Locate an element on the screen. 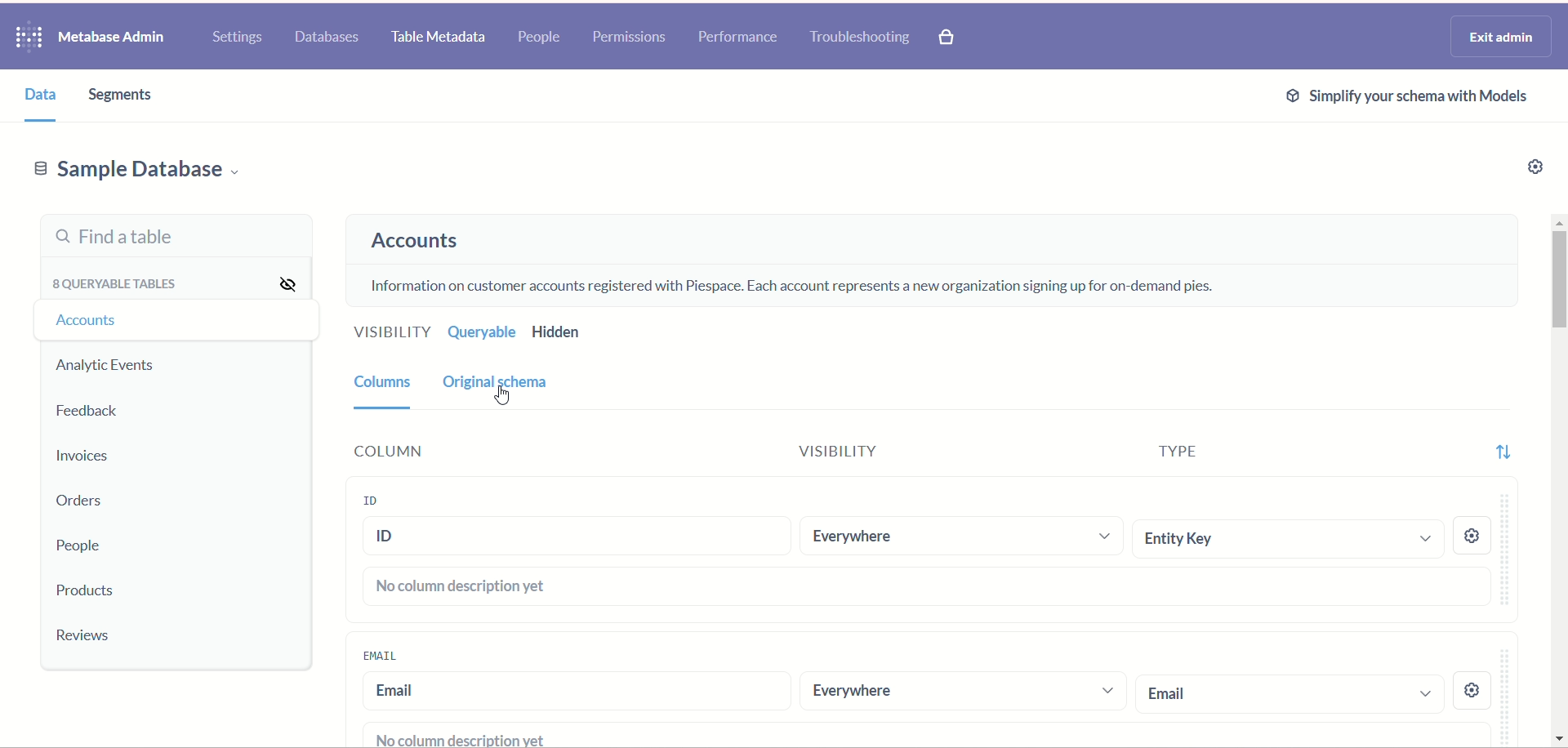 This screenshot has width=1568, height=748. selection is located at coordinates (960, 537).